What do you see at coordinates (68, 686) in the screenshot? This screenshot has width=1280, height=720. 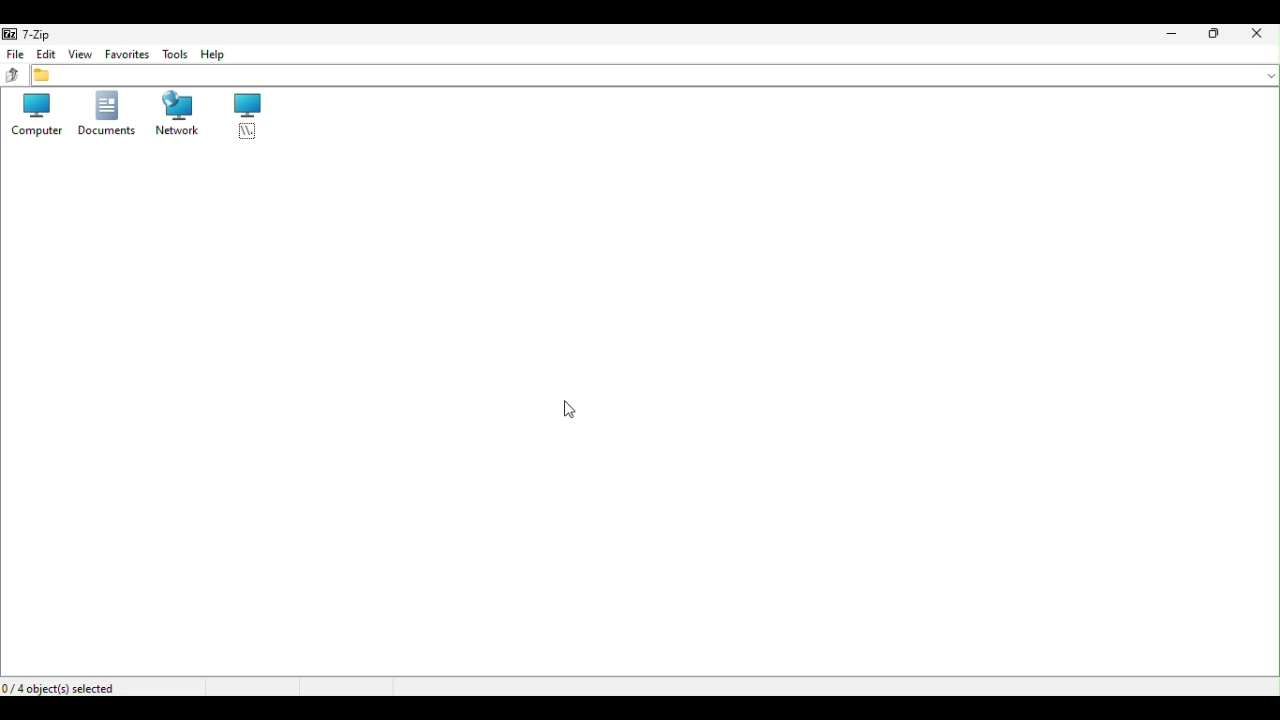 I see `Four objects selected` at bounding box center [68, 686].